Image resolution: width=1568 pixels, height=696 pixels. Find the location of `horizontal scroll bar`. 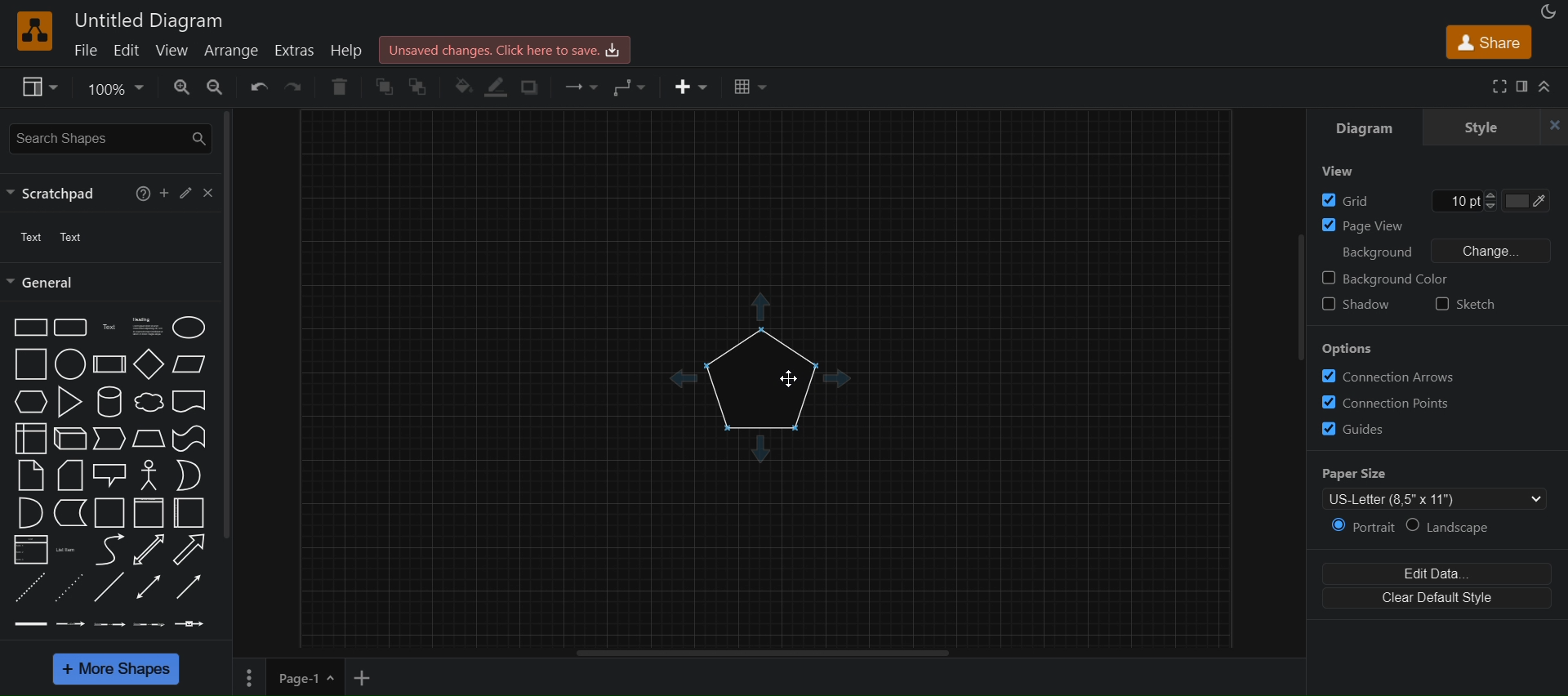

horizontal scroll bar is located at coordinates (762, 653).